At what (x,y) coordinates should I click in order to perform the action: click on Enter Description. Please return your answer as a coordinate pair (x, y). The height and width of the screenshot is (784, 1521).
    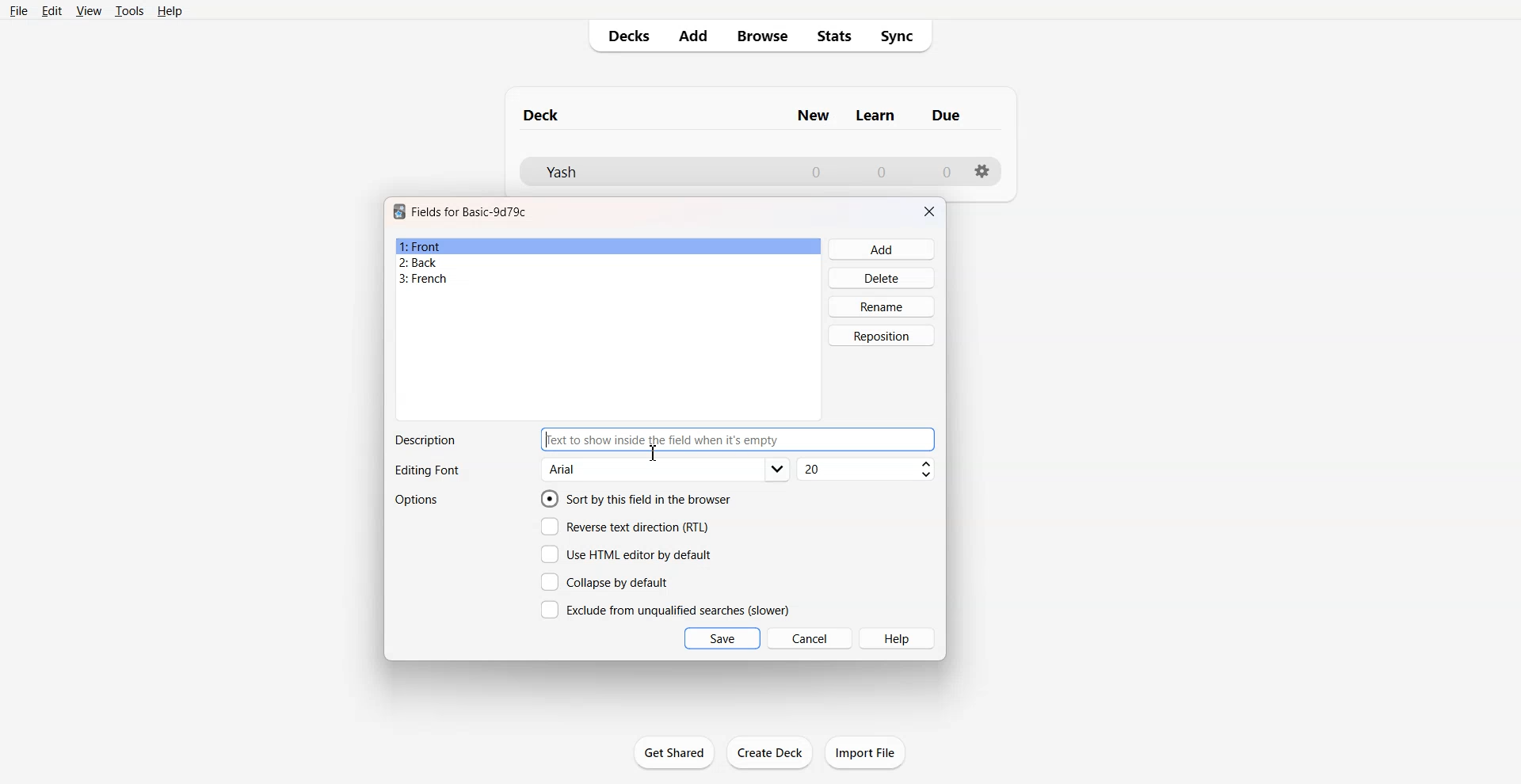
    Looking at the image, I should click on (739, 440).